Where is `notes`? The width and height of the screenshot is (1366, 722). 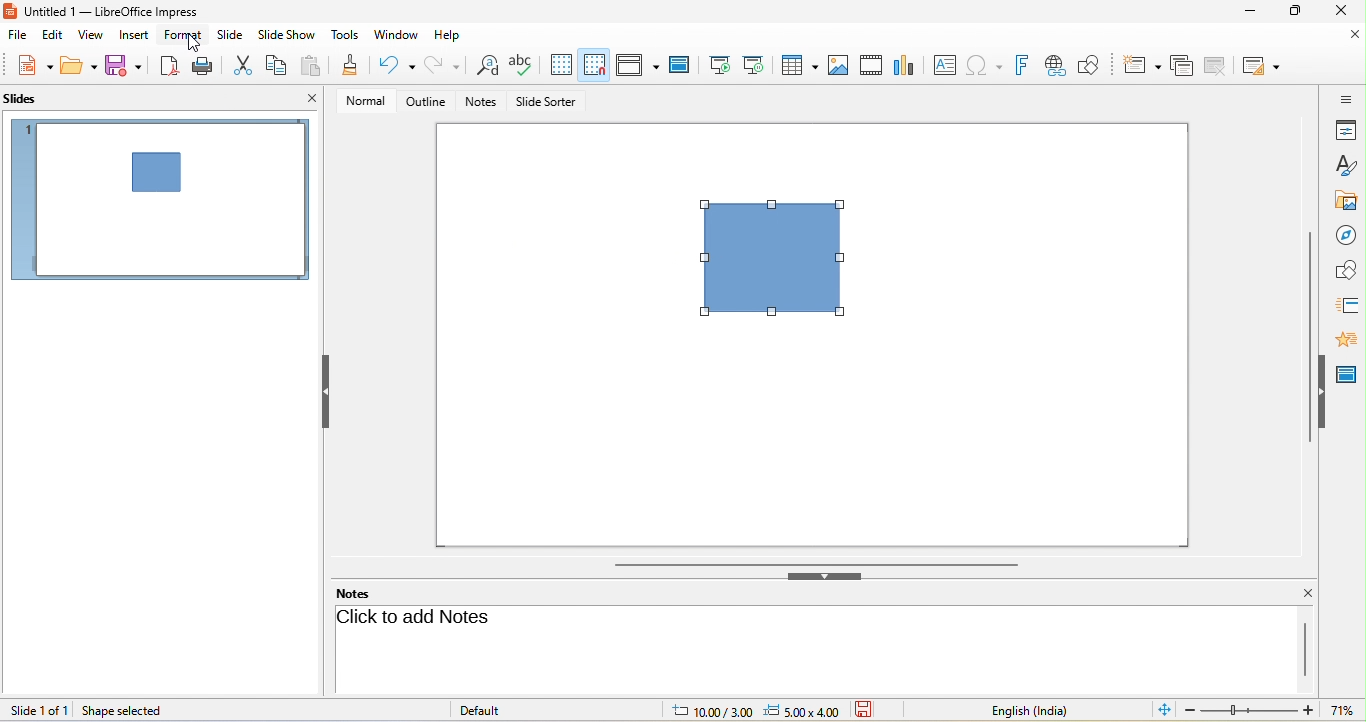
notes is located at coordinates (359, 592).